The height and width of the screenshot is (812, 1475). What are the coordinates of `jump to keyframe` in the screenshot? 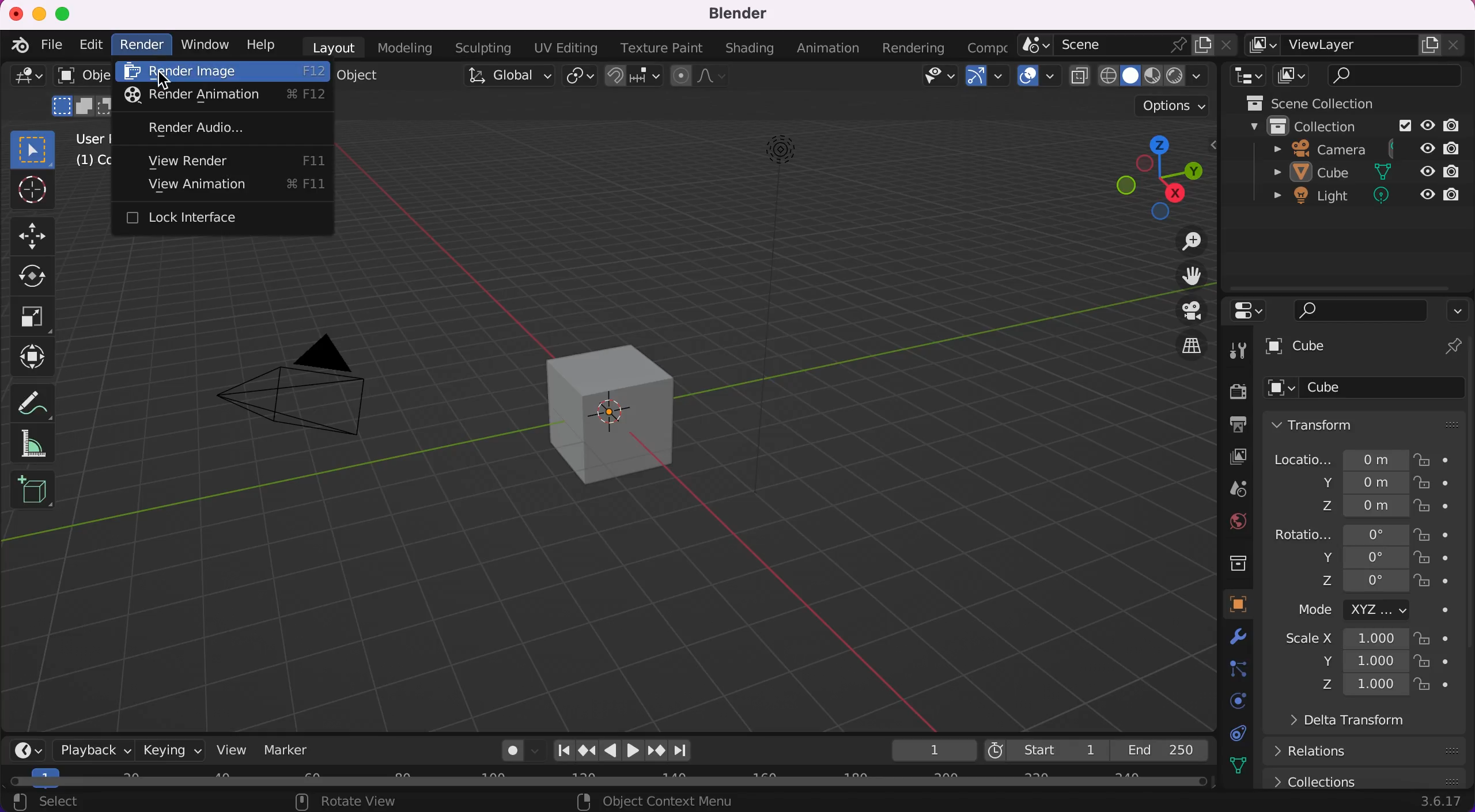 It's located at (657, 752).